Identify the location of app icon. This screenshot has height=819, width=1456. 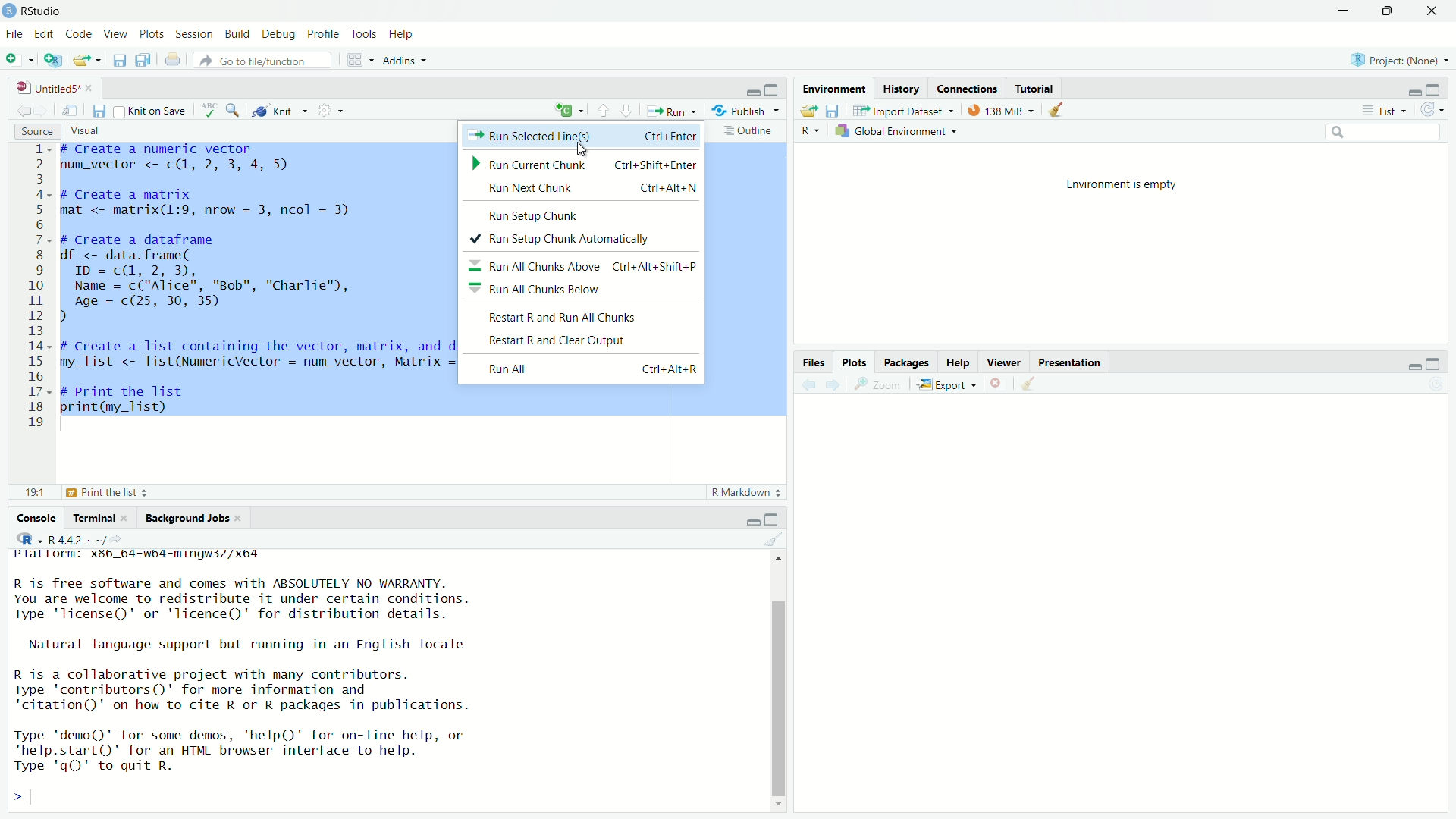
(10, 10).